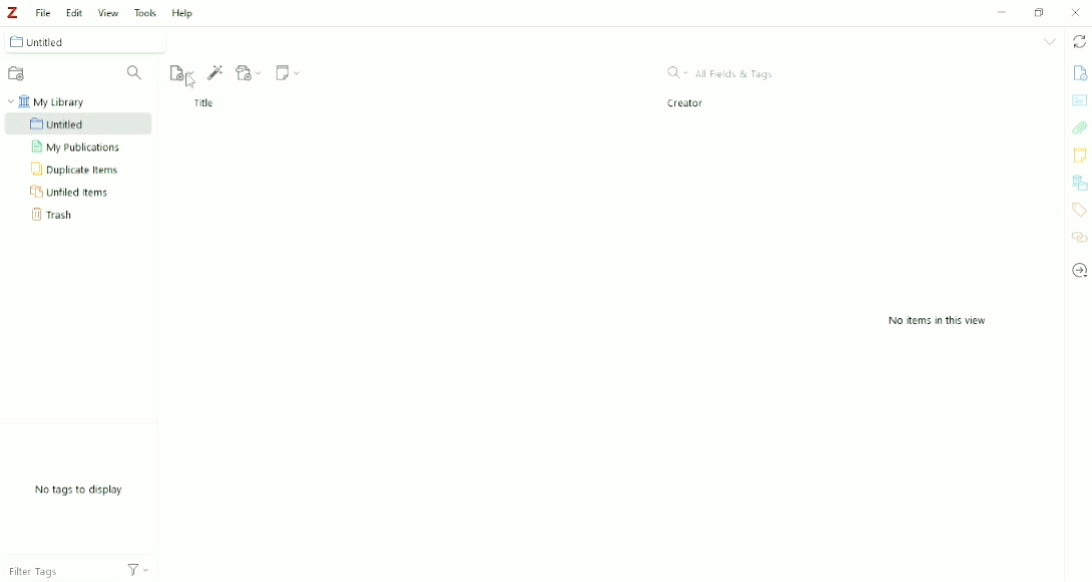 Image resolution: width=1092 pixels, height=582 pixels. I want to click on Duplicate Items, so click(77, 170).